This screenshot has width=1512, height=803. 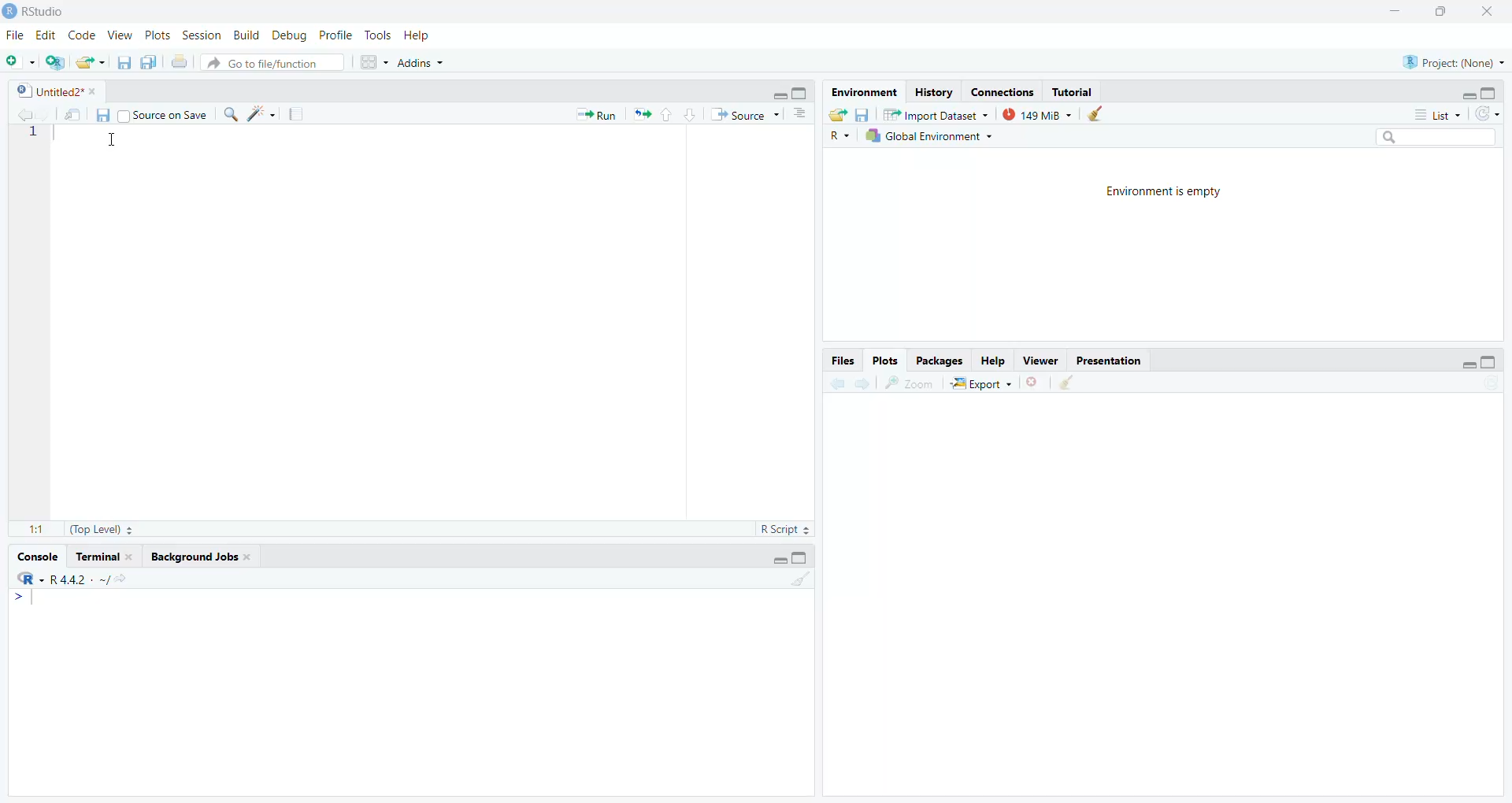 I want to click on Presentation, so click(x=1108, y=359).